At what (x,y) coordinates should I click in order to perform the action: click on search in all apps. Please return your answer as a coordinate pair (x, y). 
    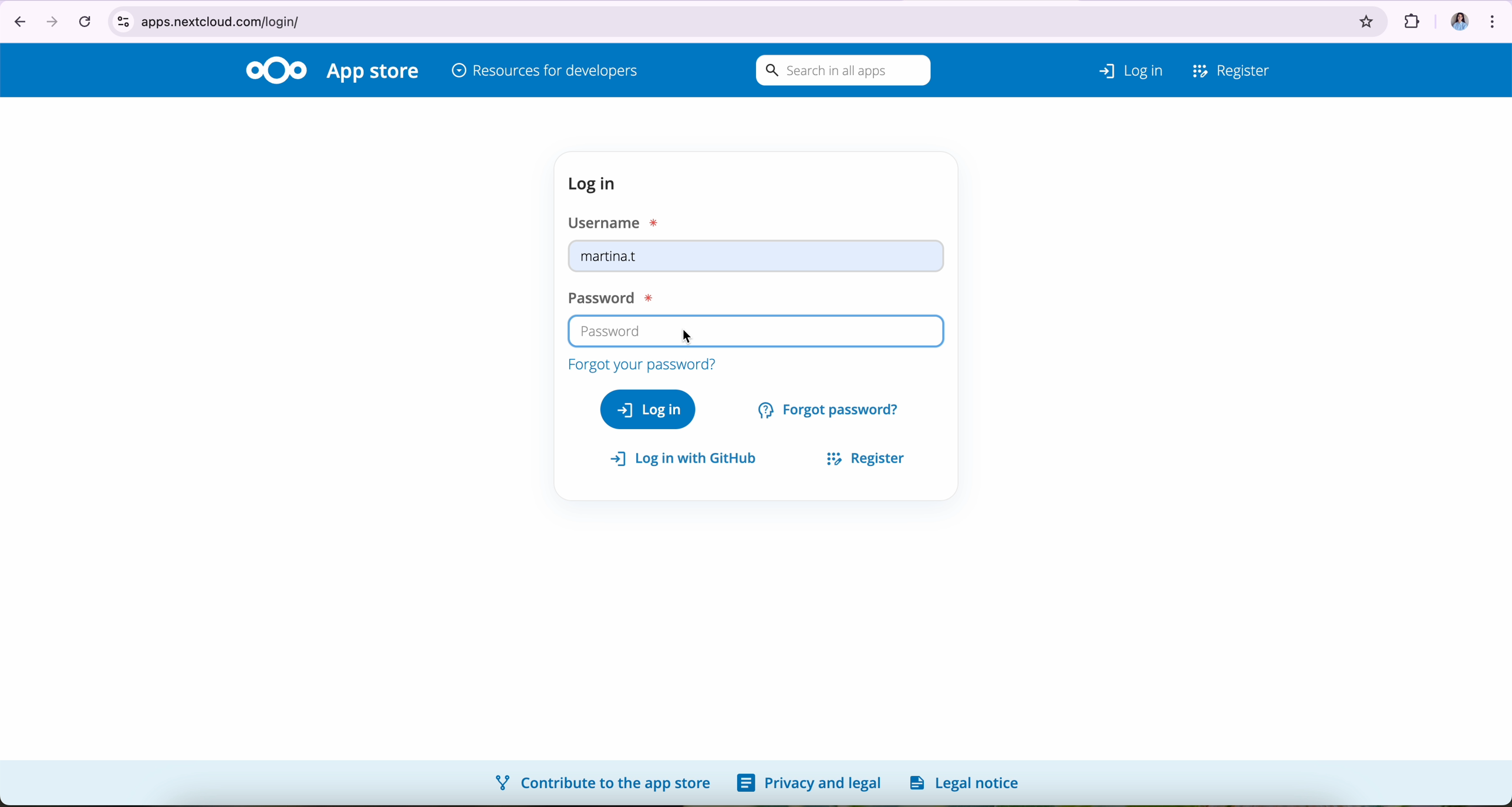
    Looking at the image, I should click on (840, 71).